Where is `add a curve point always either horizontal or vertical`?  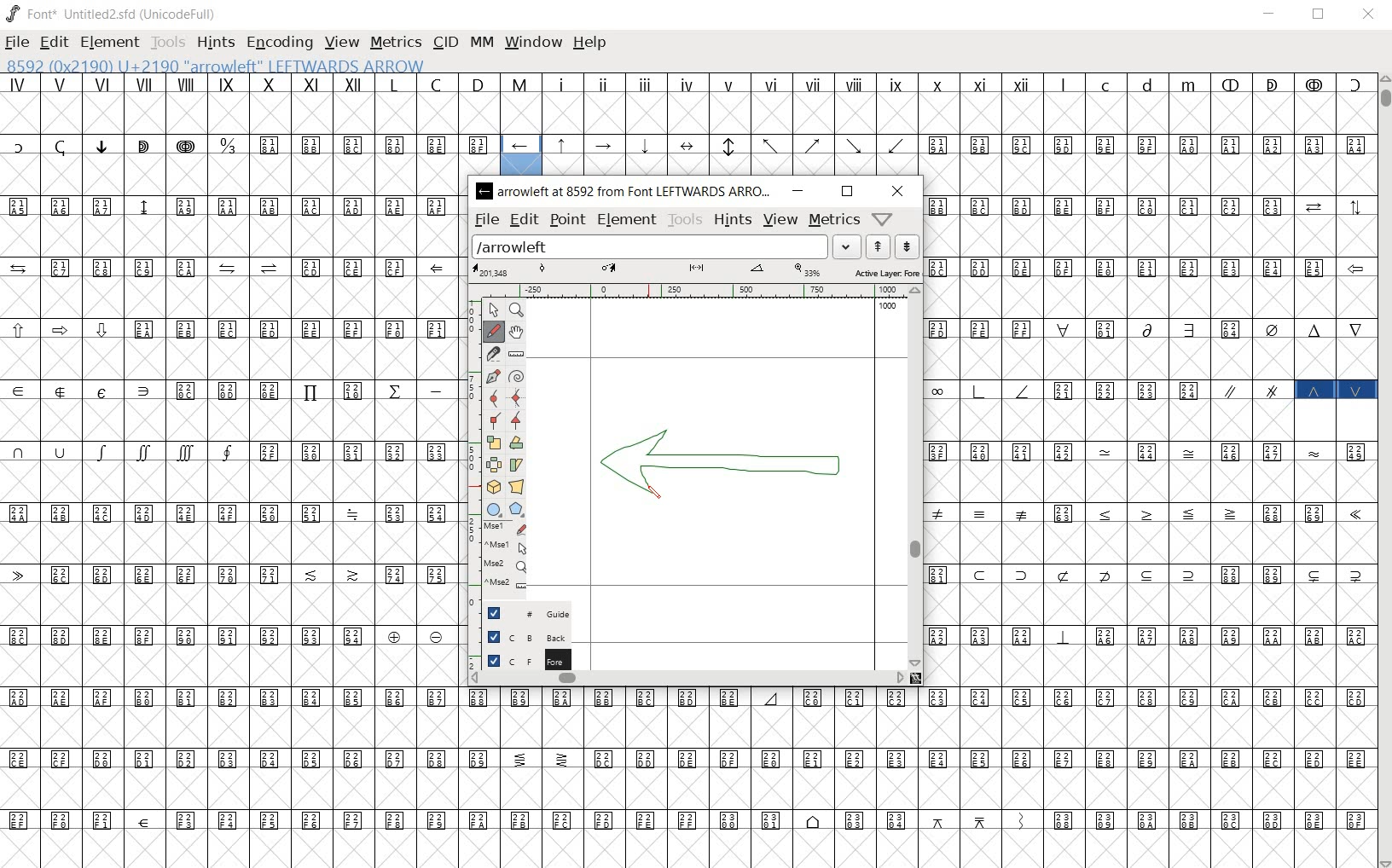 add a curve point always either horizontal or vertical is located at coordinates (517, 396).